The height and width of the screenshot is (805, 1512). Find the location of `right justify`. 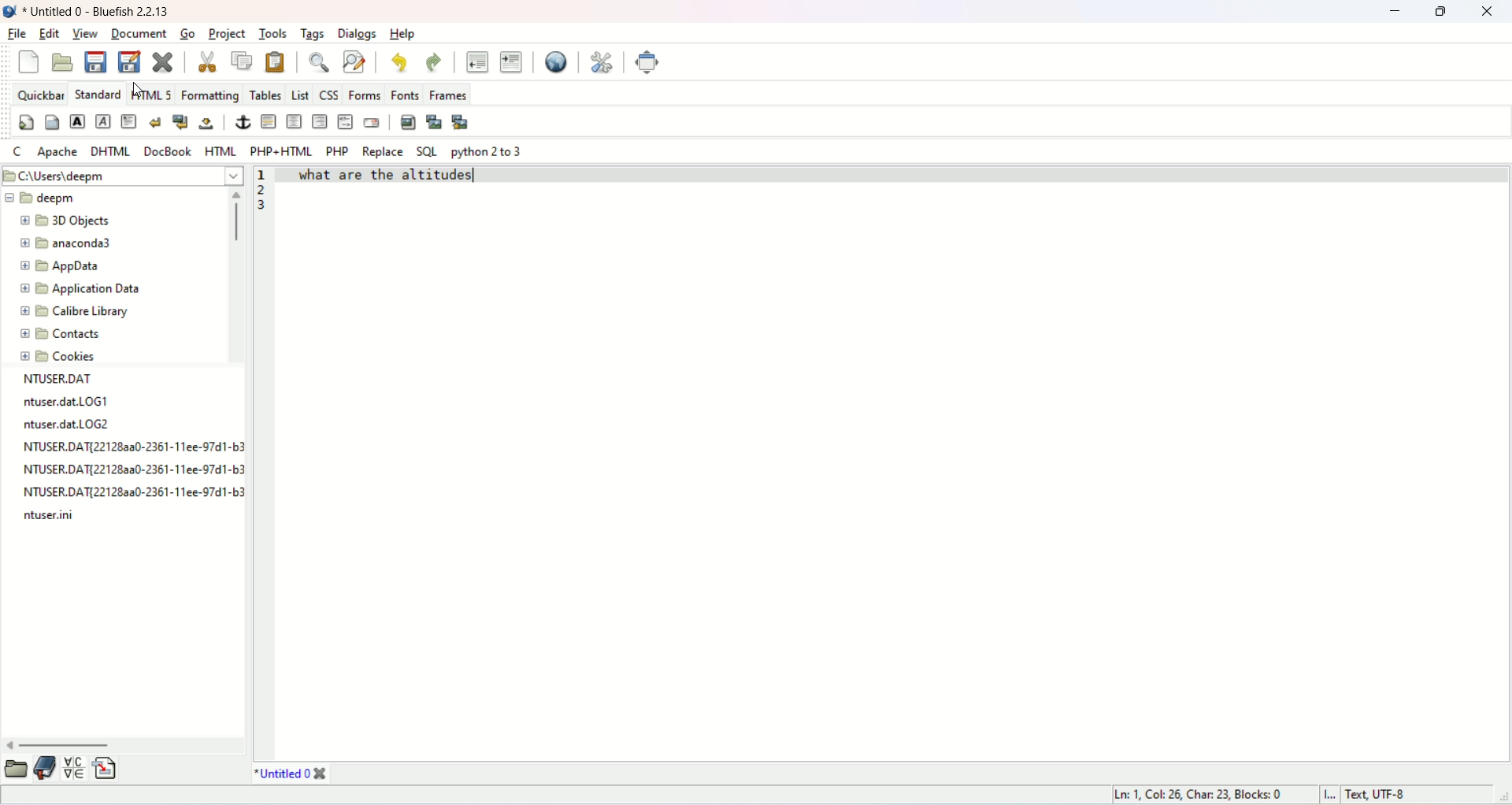

right justify is located at coordinates (321, 121).